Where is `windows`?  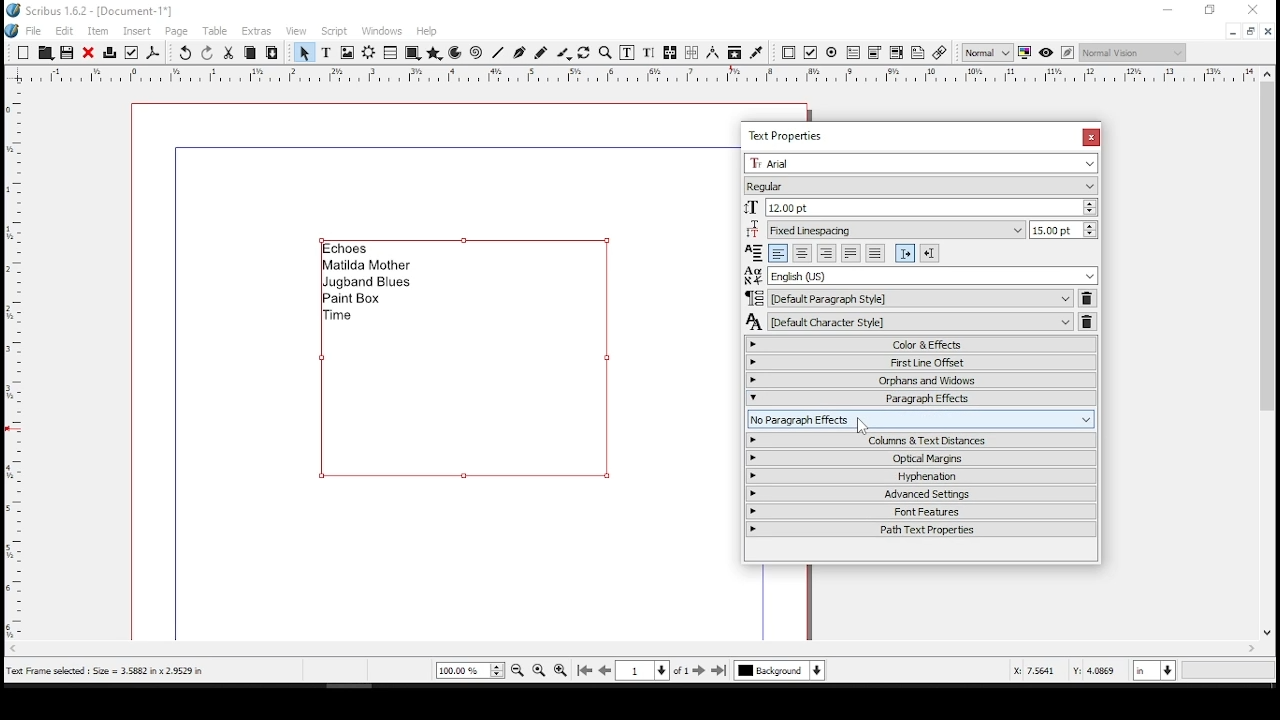
windows is located at coordinates (381, 31).